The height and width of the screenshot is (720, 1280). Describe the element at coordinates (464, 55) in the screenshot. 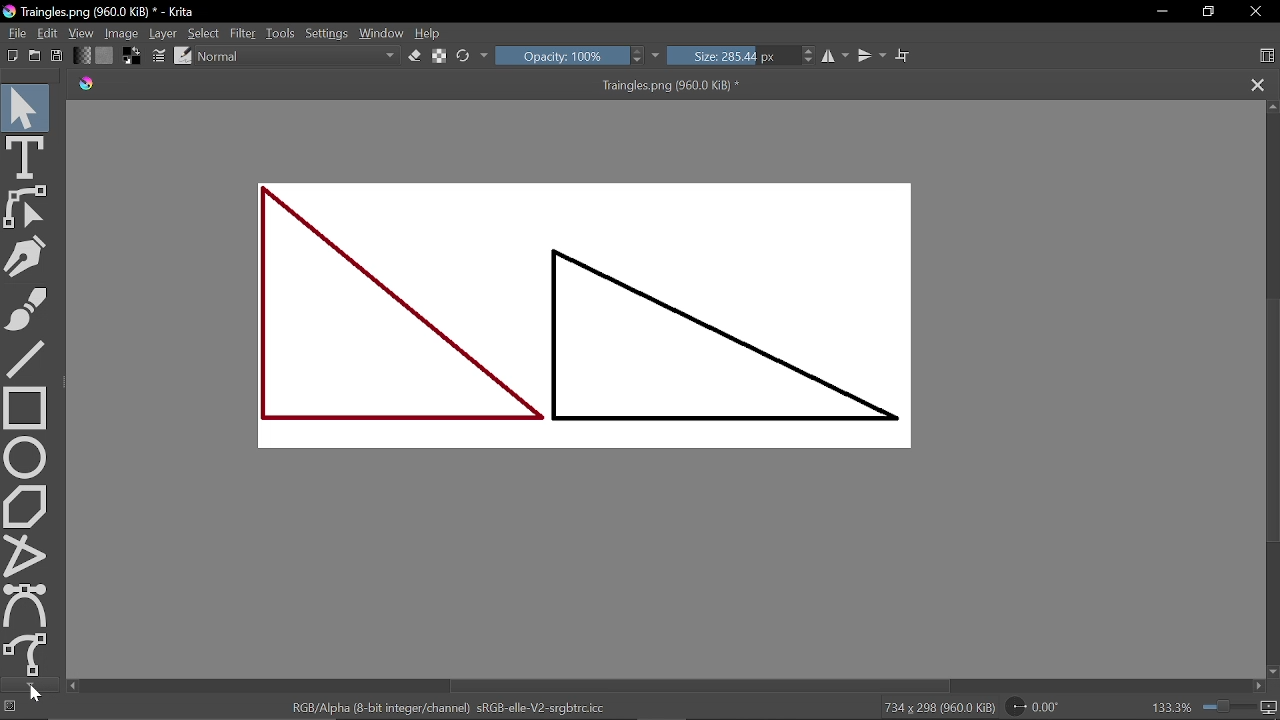

I see `Reset orginal preset` at that location.